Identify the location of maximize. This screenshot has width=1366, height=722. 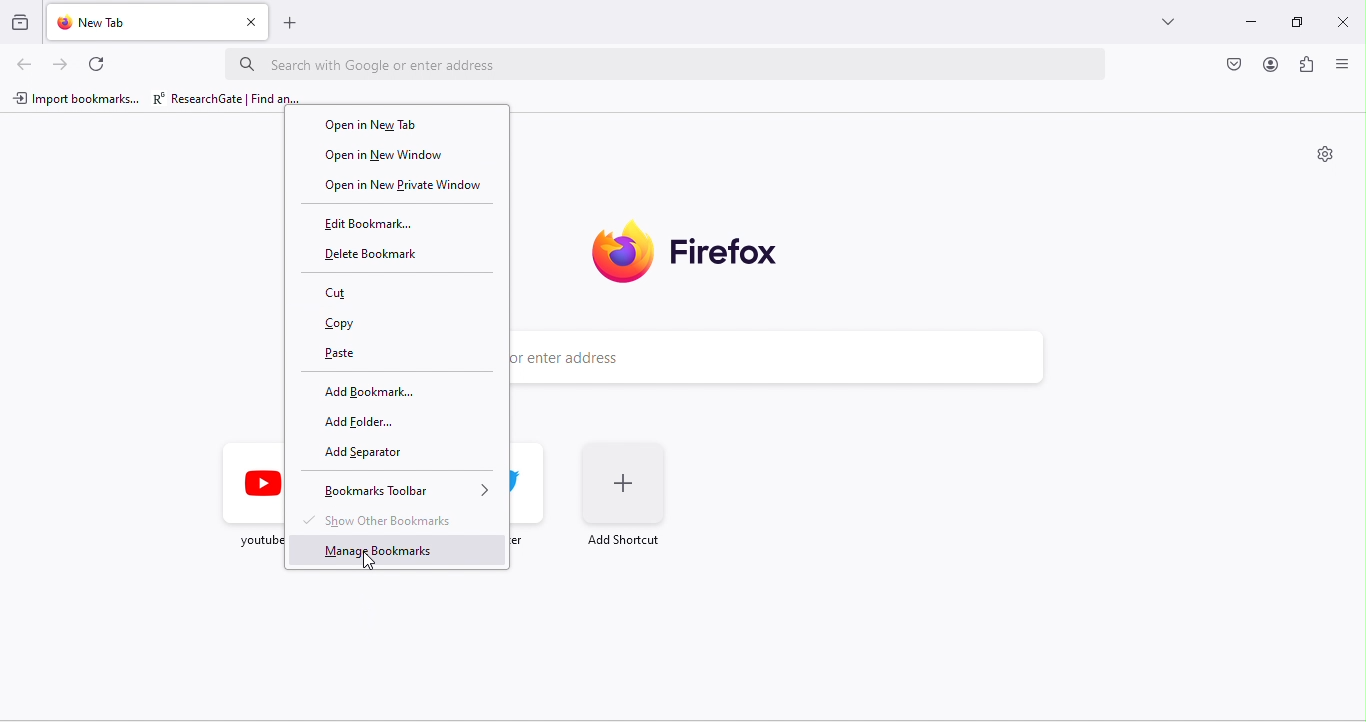
(1291, 23).